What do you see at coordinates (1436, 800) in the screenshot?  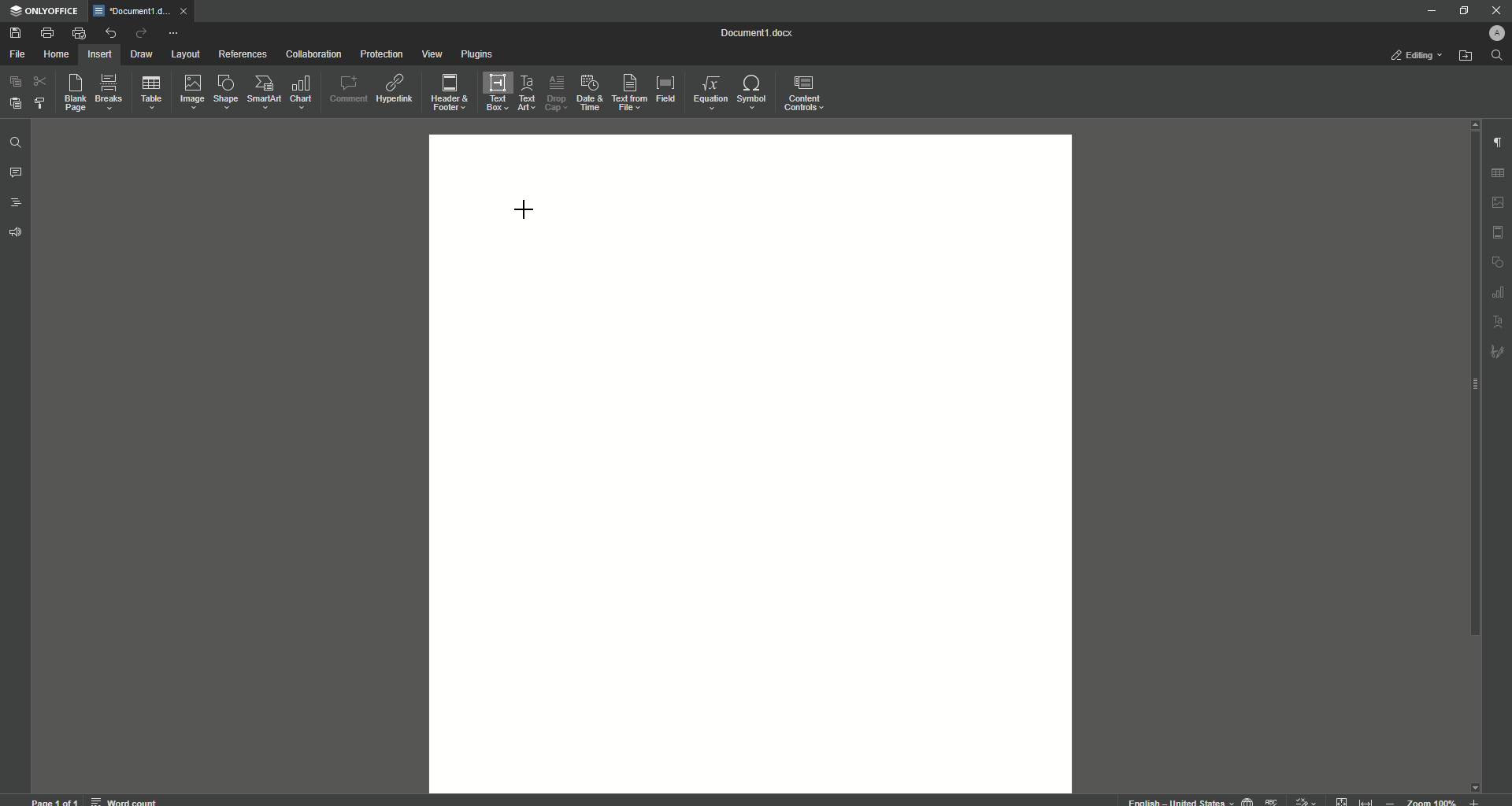 I see `zoom out or zoom in` at bounding box center [1436, 800].